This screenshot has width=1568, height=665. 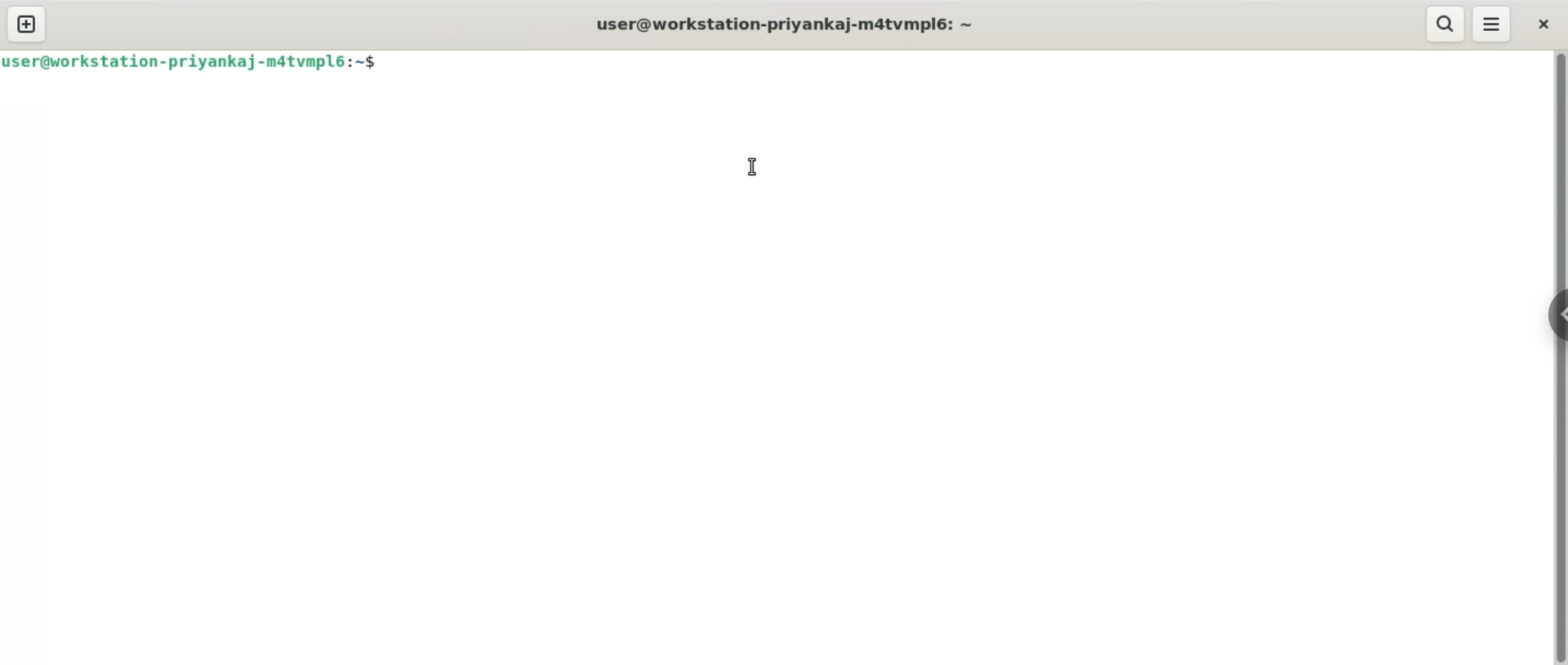 I want to click on menu, so click(x=1493, y=24).